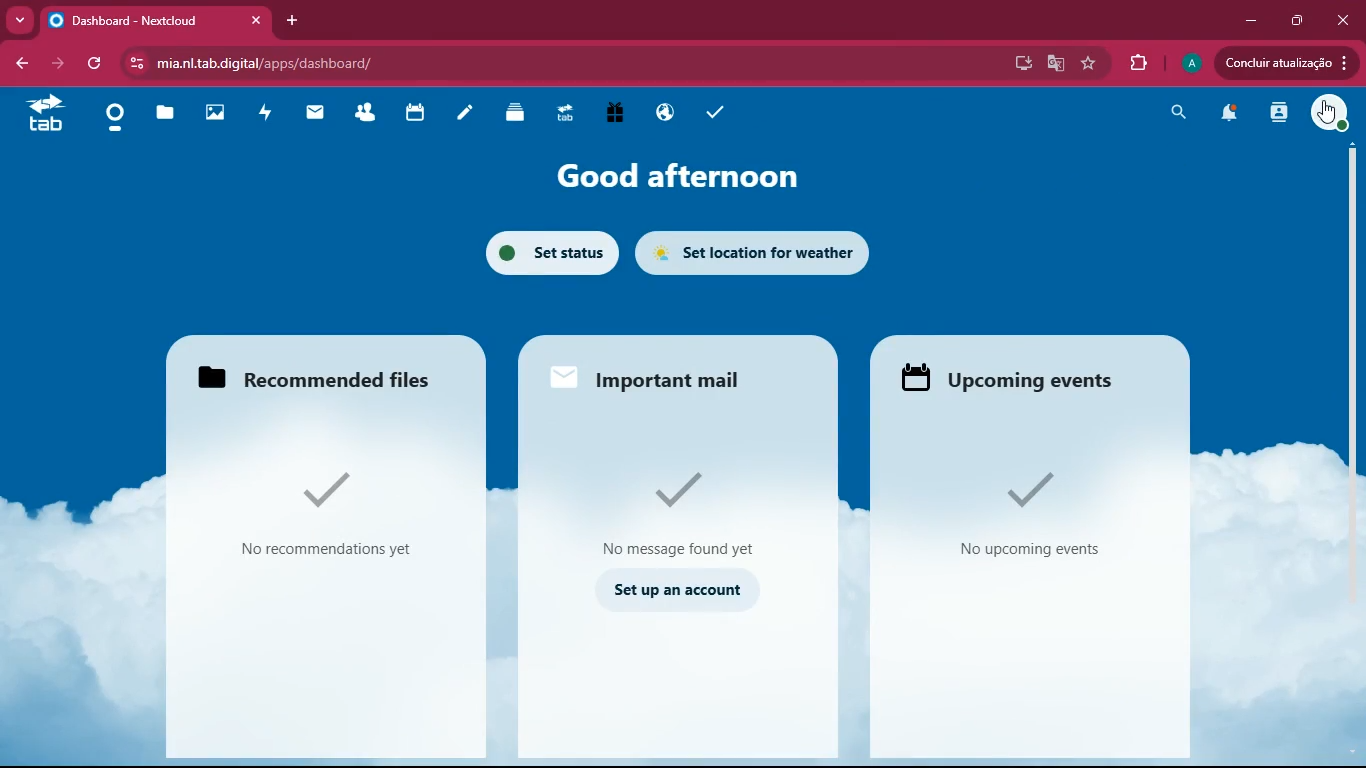 This screenshot has width=1366, height=768. I want to click on mail, so click(322, 115).